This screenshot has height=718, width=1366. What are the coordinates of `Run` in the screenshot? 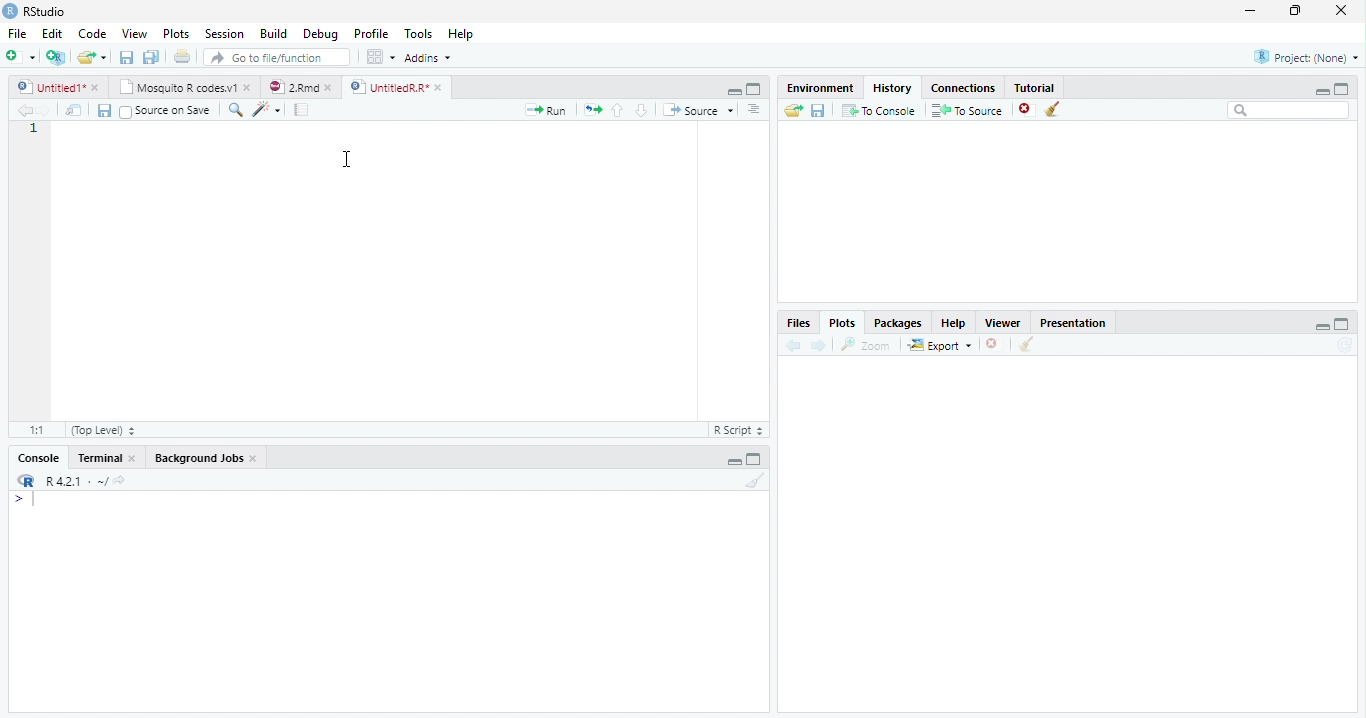 It's located at (542, 111).